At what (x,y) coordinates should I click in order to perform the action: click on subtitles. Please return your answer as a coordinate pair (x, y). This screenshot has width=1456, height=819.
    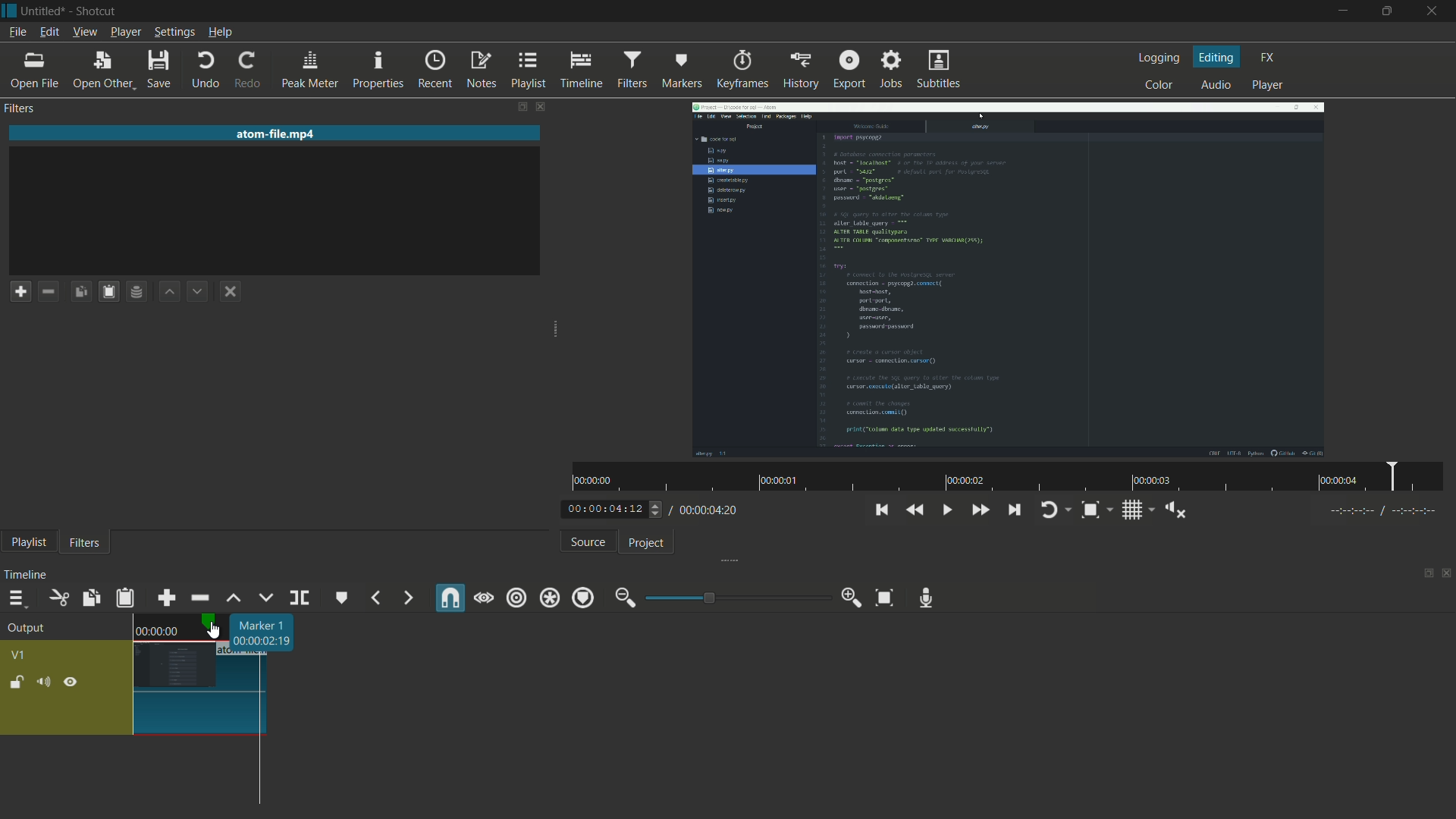
    Looking at the image, I should click on (941, 69).